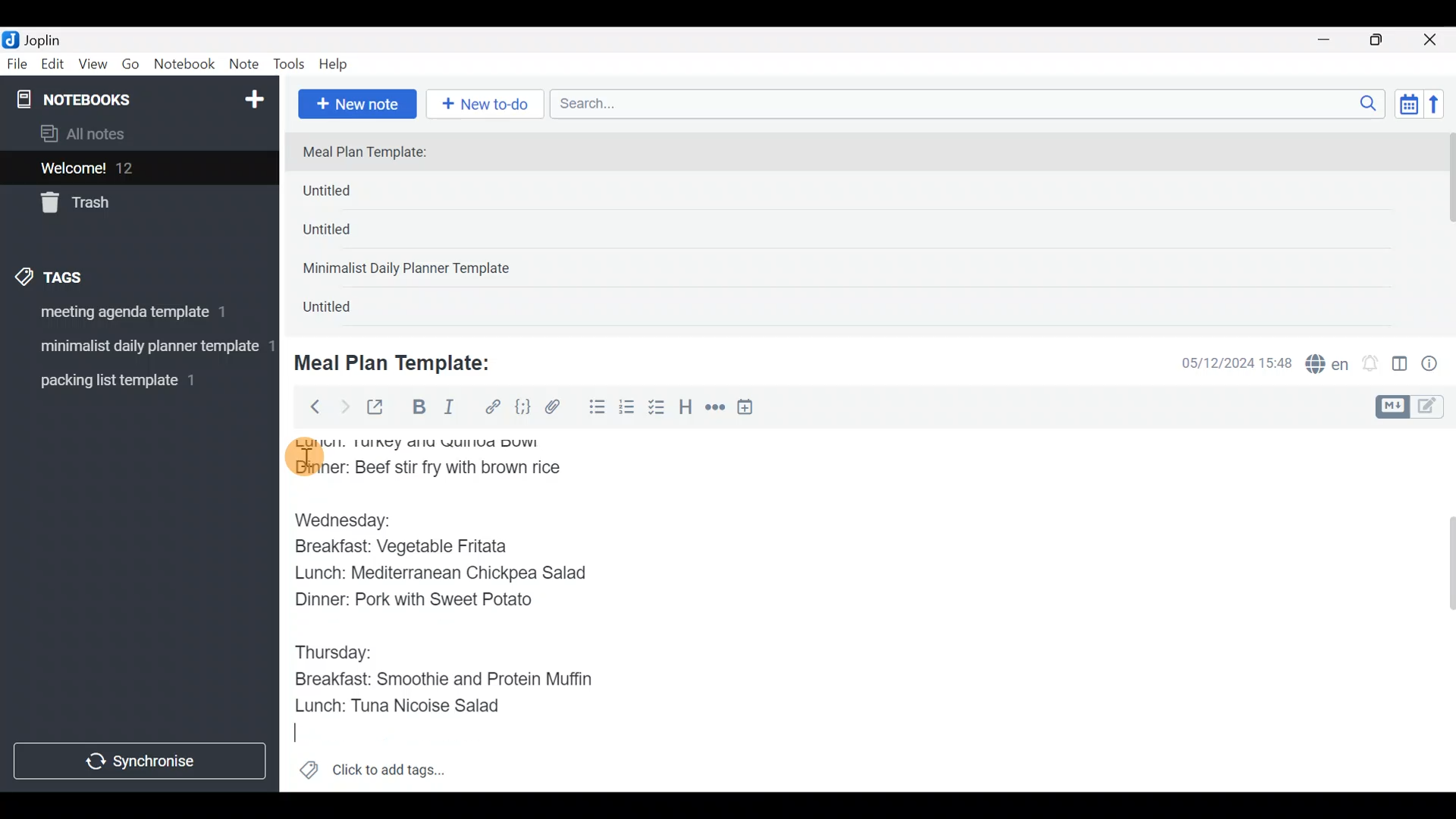 Image resolution: width=1456 pixels, height=819 pixels. What do you see at coordinates (971, 102) in the screenshot?
I see `Search bar` at bounding box center [971, 102].